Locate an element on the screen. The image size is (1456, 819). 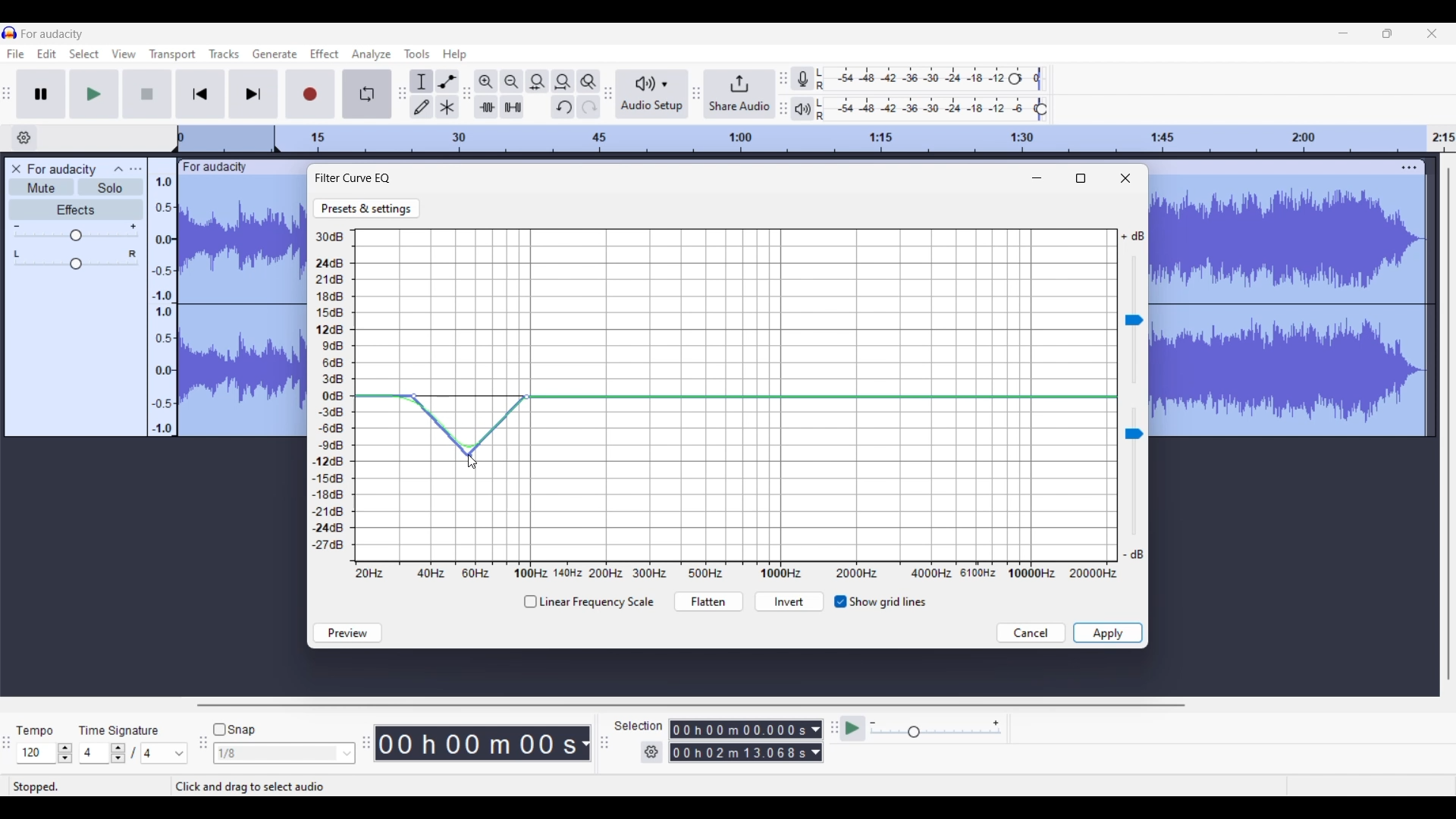
Recording level is located at coordinates (915, 79).